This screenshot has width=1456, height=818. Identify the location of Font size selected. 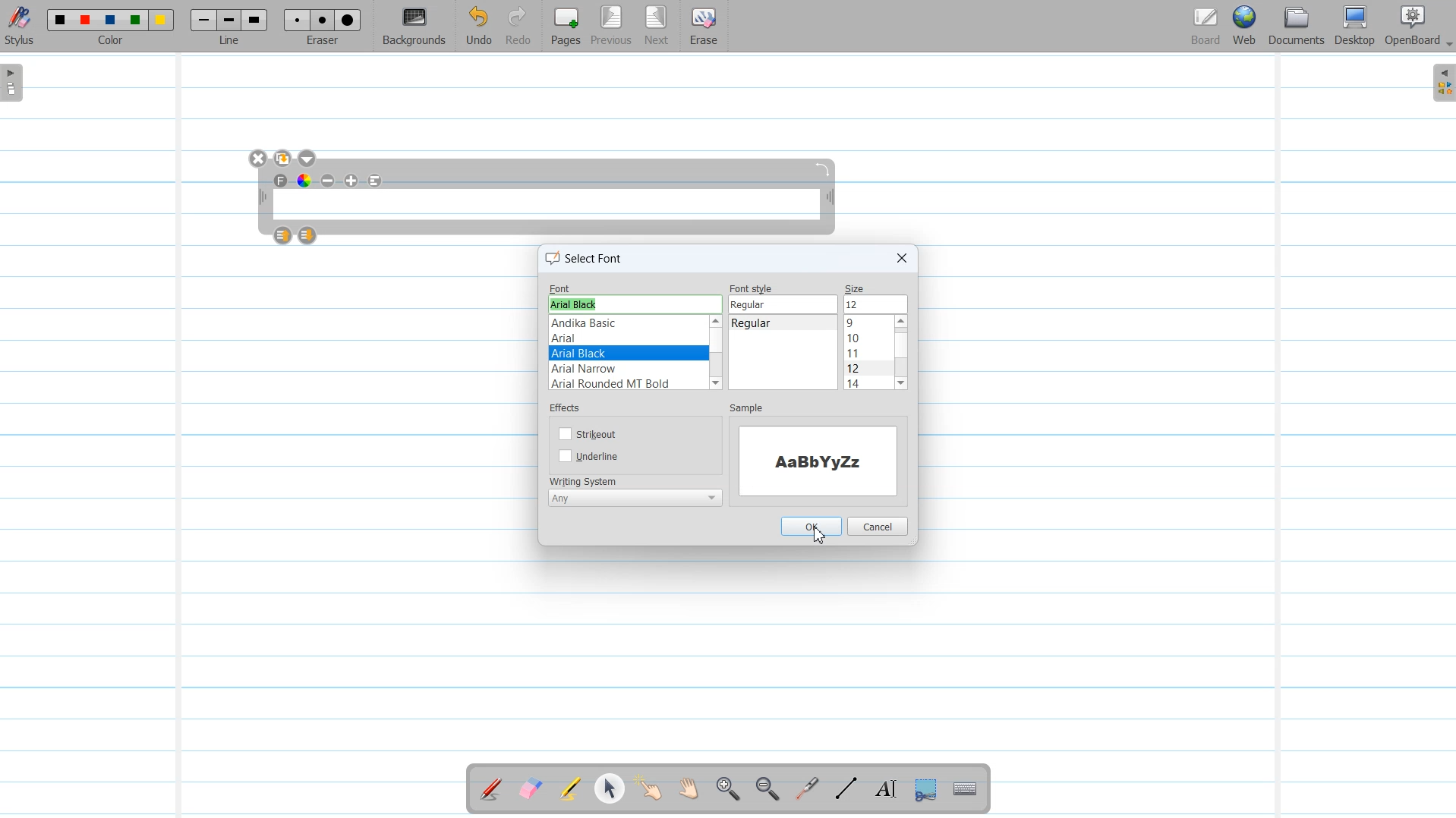
(875, 304).